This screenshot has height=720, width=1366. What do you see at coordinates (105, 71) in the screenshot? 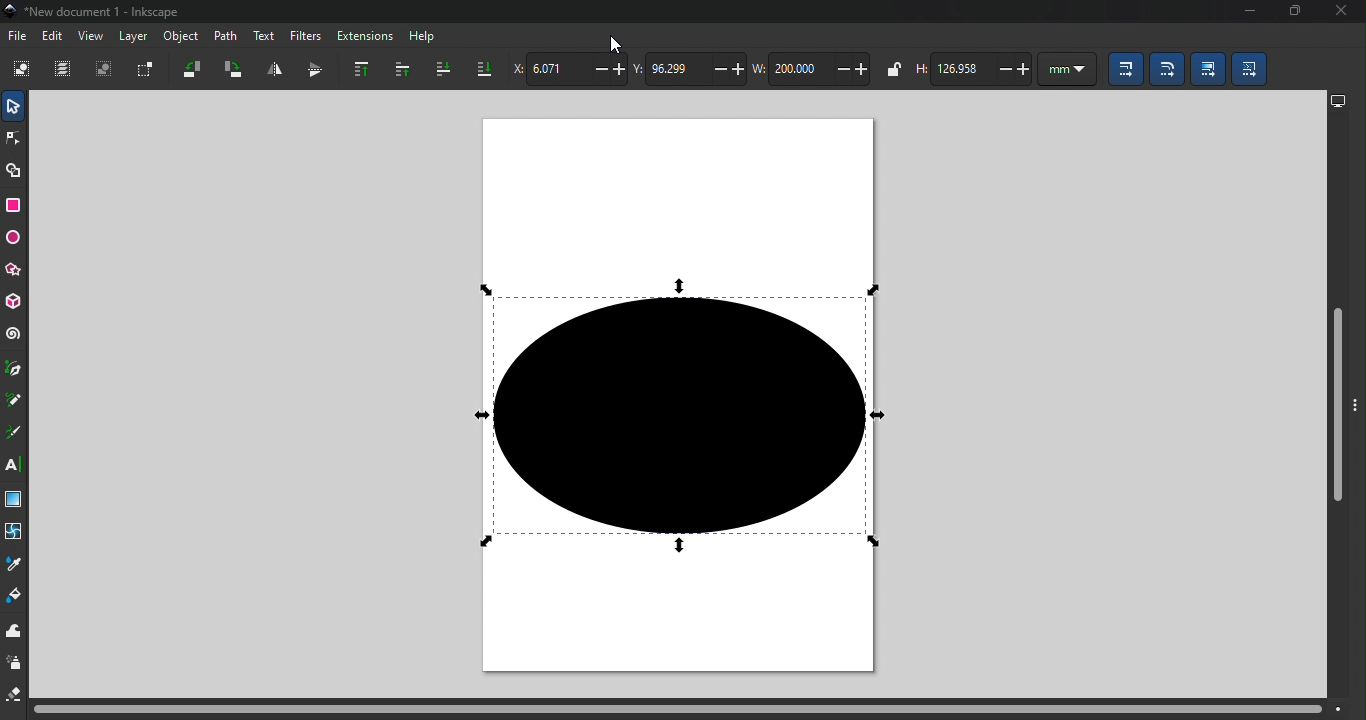
I see `Deselect all selected objects` at bounding box center [105, 71].